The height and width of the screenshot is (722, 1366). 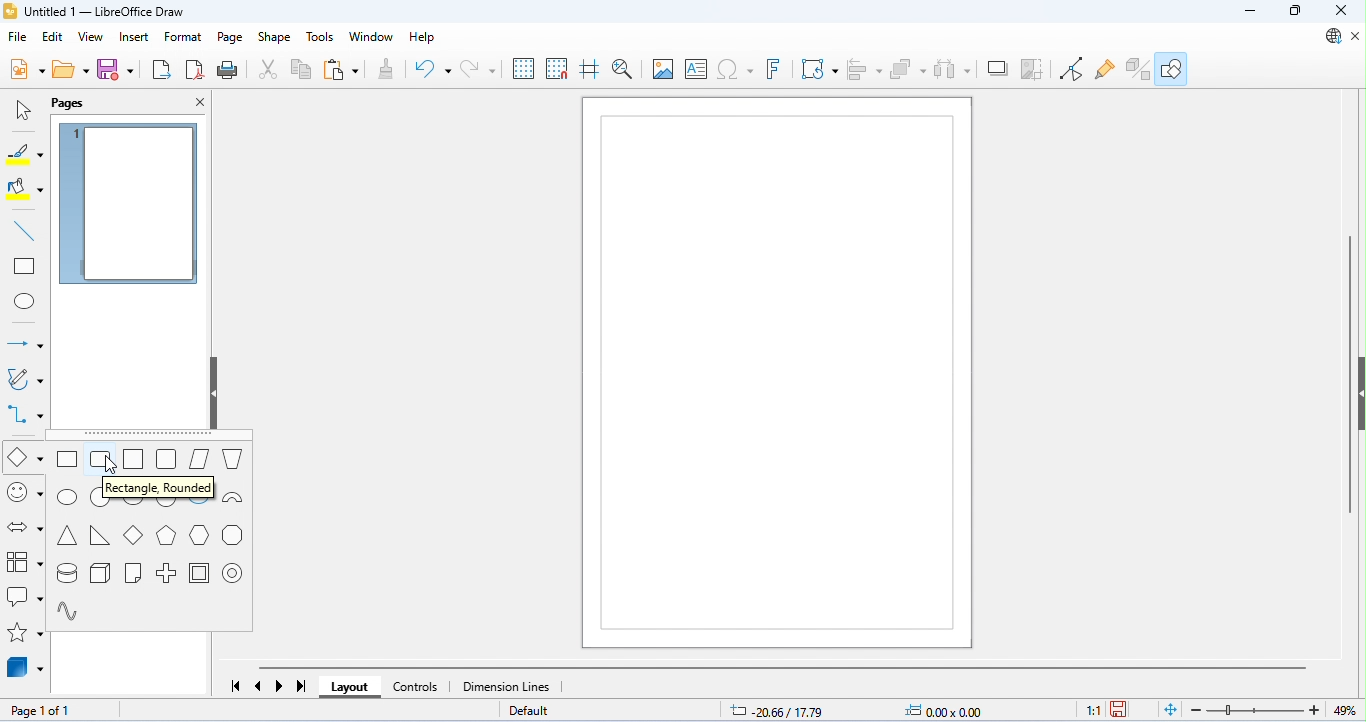 What do you see at coordinates (233, 458) in the screenshot?
I see `trapezoid` at bounding box center [233, 458].